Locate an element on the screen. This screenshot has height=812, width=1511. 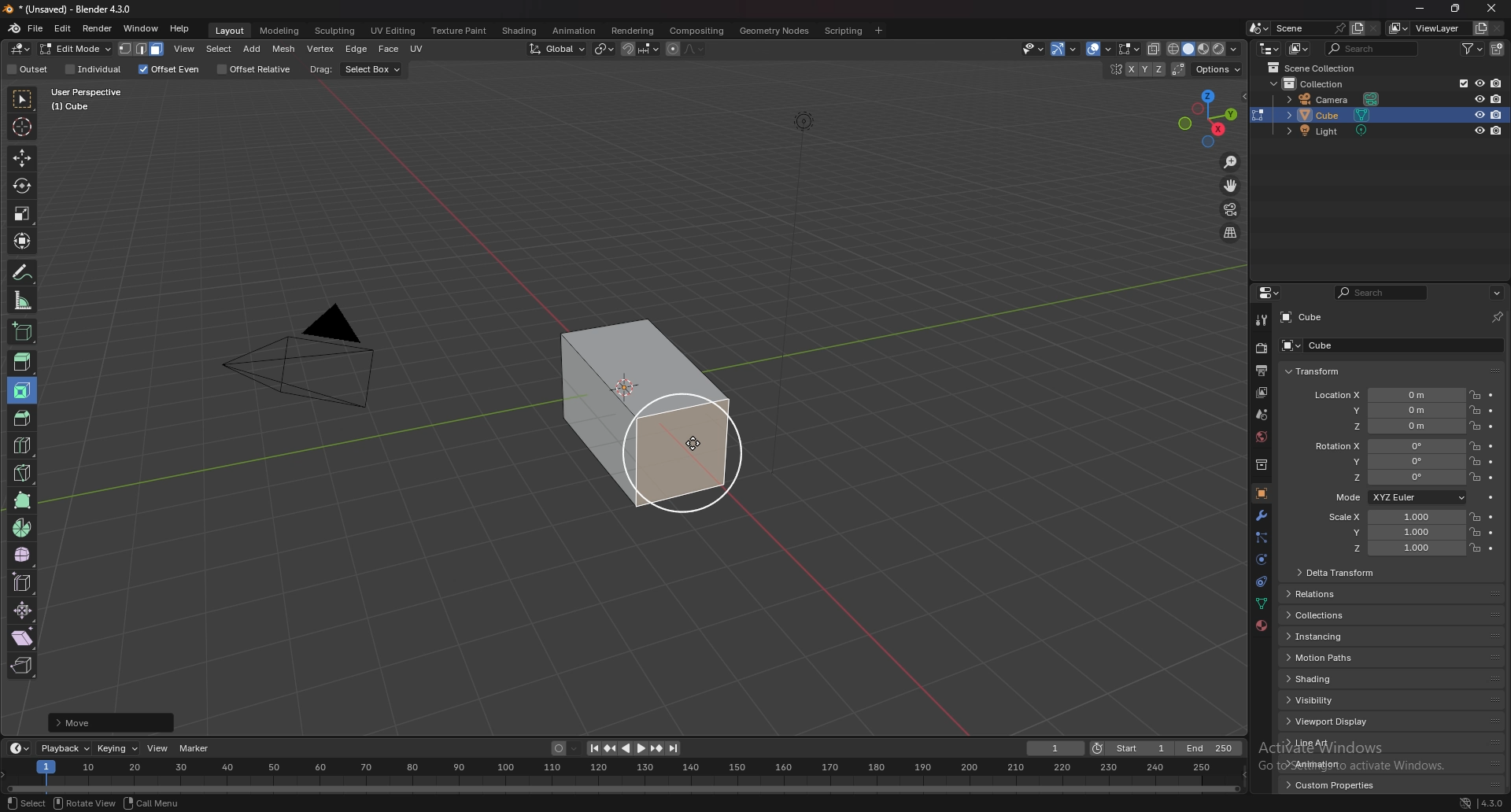
cube is located at coordinates (1304, 317).